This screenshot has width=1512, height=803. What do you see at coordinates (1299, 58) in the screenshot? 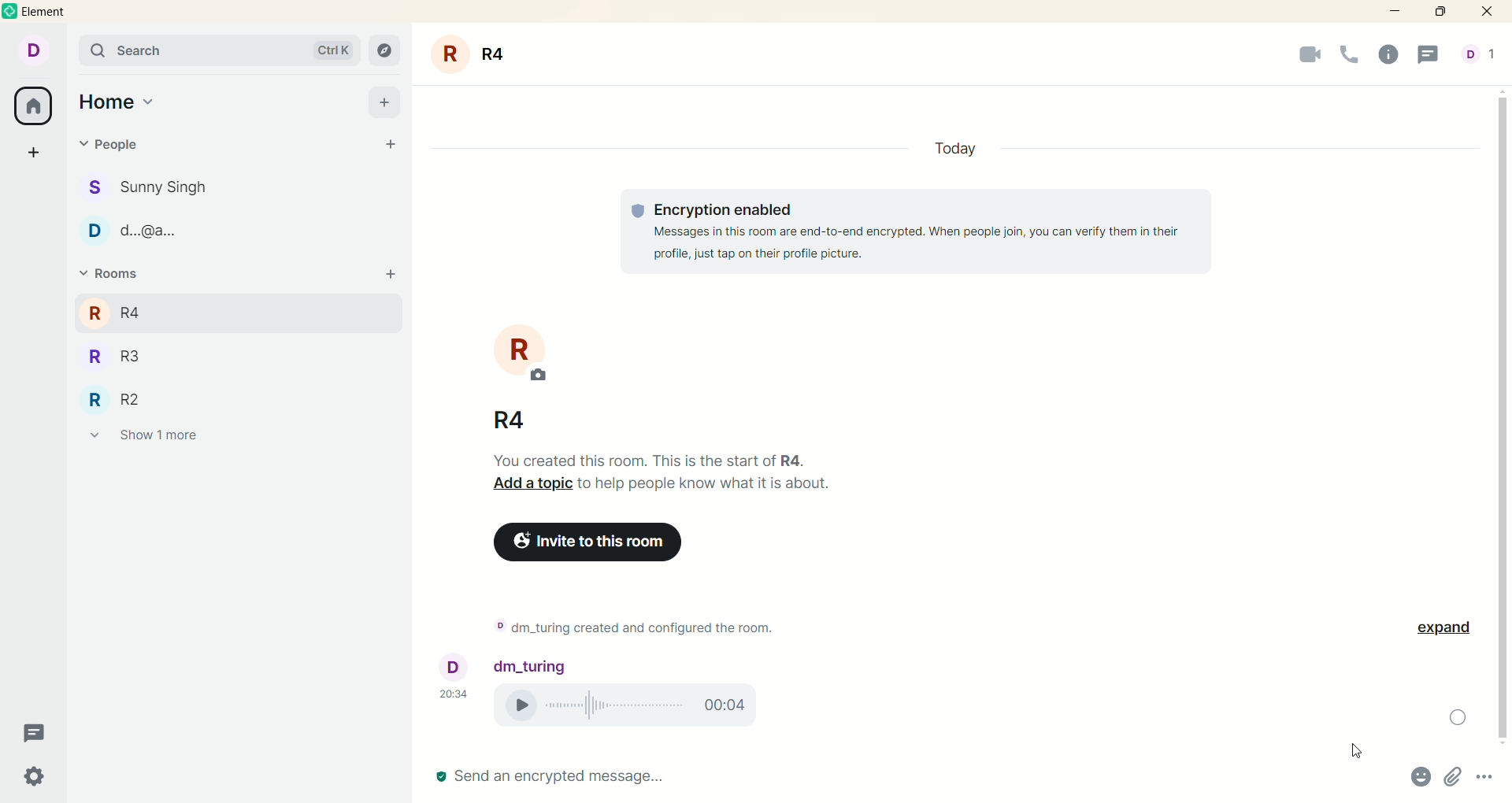
I see `video call` at bounding box center [1299, 58].